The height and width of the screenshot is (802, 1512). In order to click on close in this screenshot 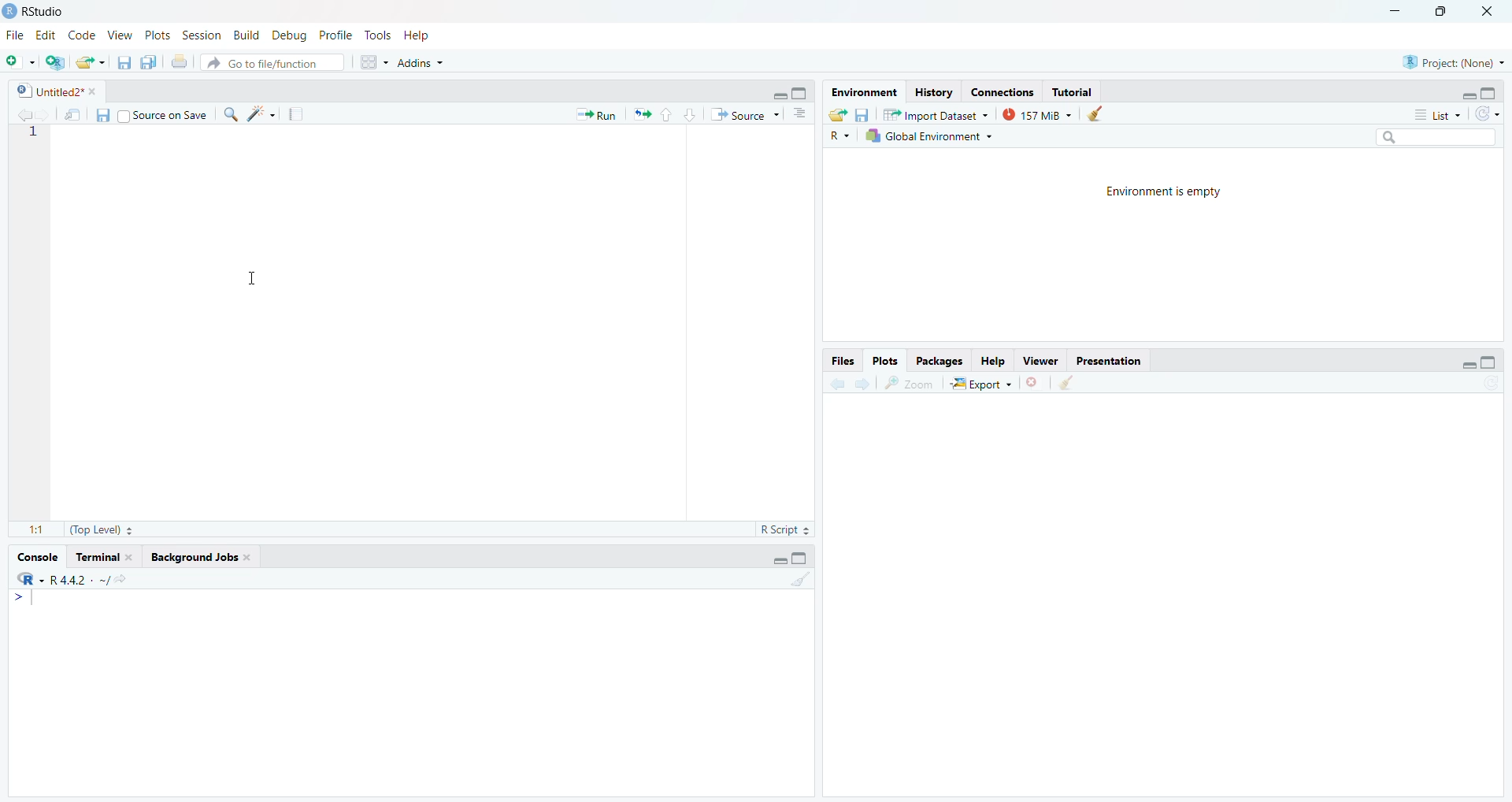, I will do `click(95, 89)`.